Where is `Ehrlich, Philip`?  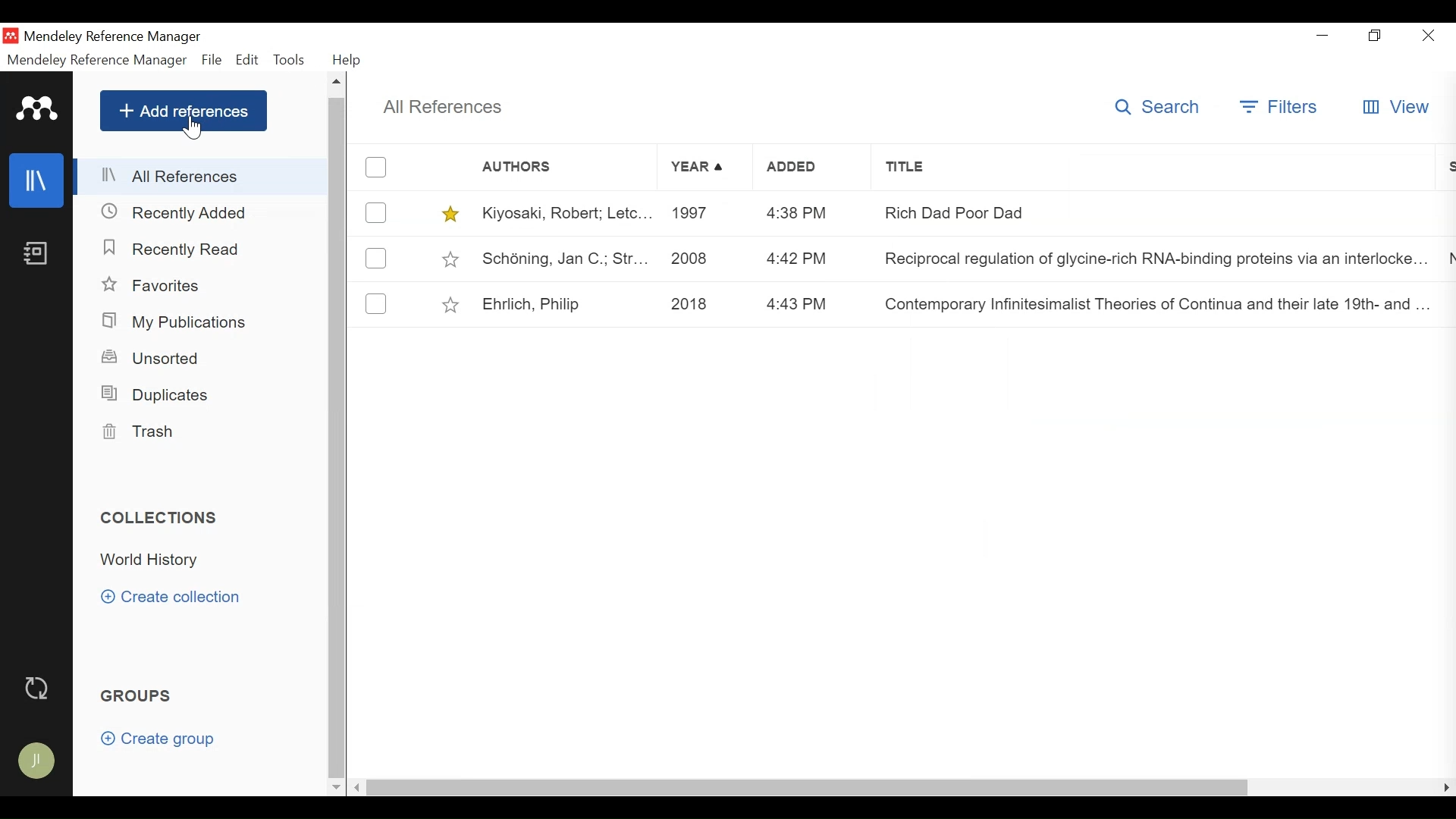 Ehrlich, Philip is located at coordinates (567, 303).